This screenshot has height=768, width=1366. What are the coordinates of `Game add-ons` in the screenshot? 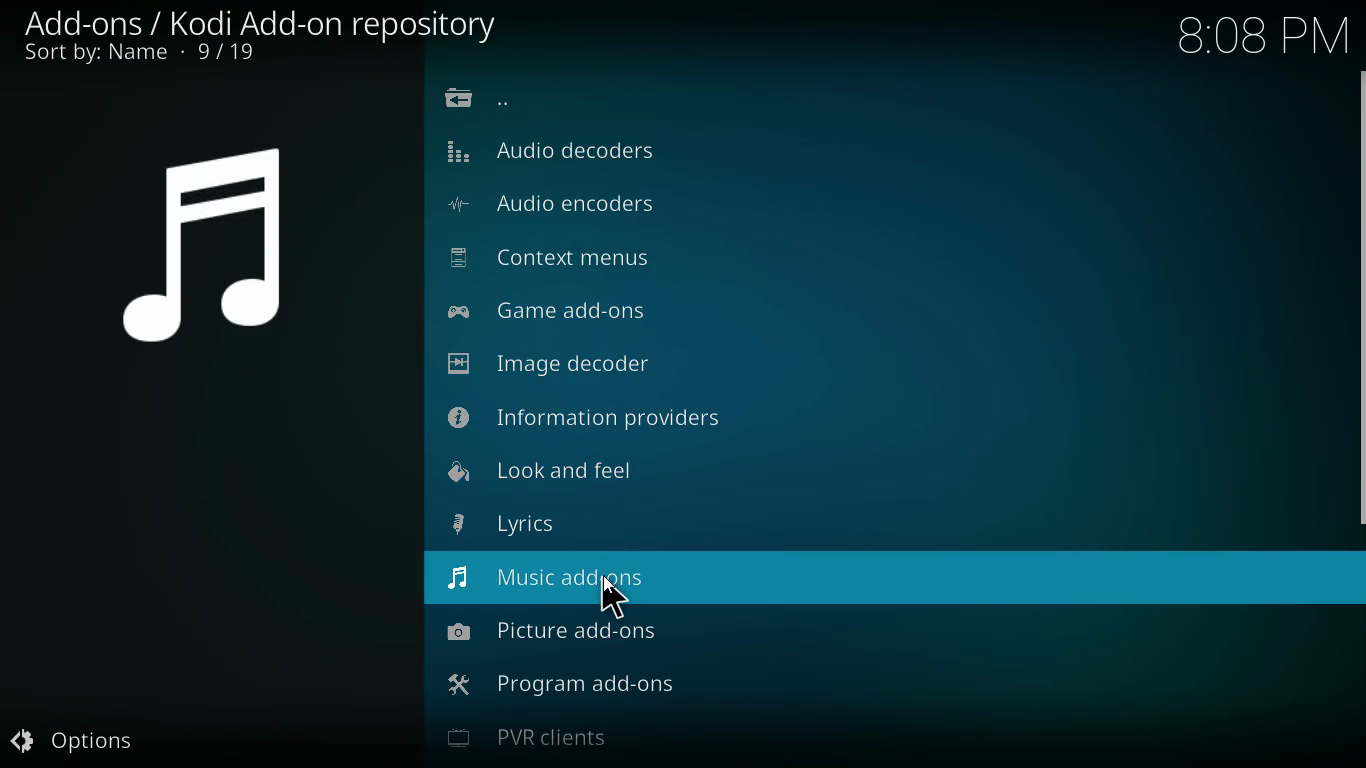 It's located at (558, 314).